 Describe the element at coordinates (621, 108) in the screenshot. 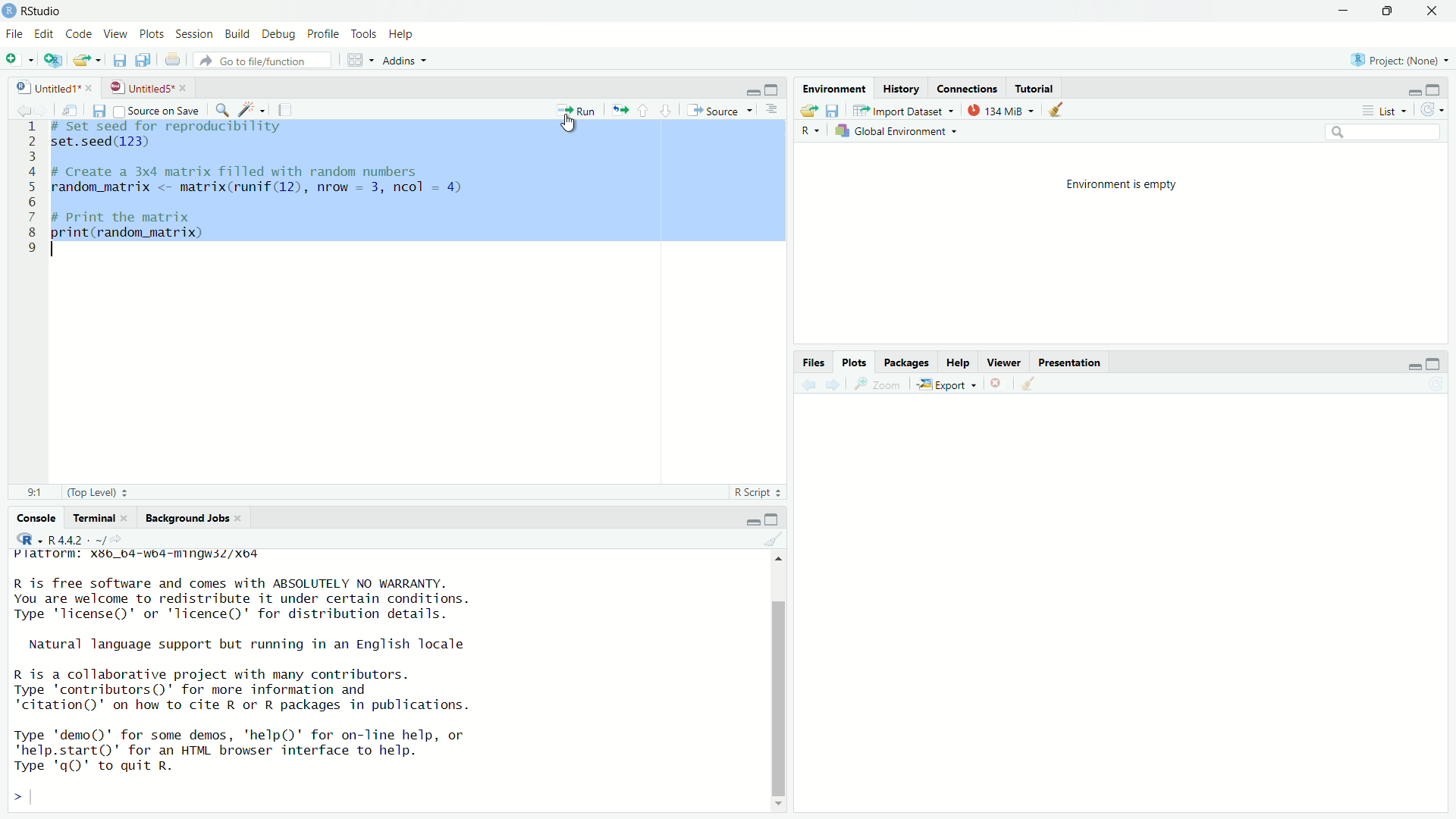

I see `move` at that location.